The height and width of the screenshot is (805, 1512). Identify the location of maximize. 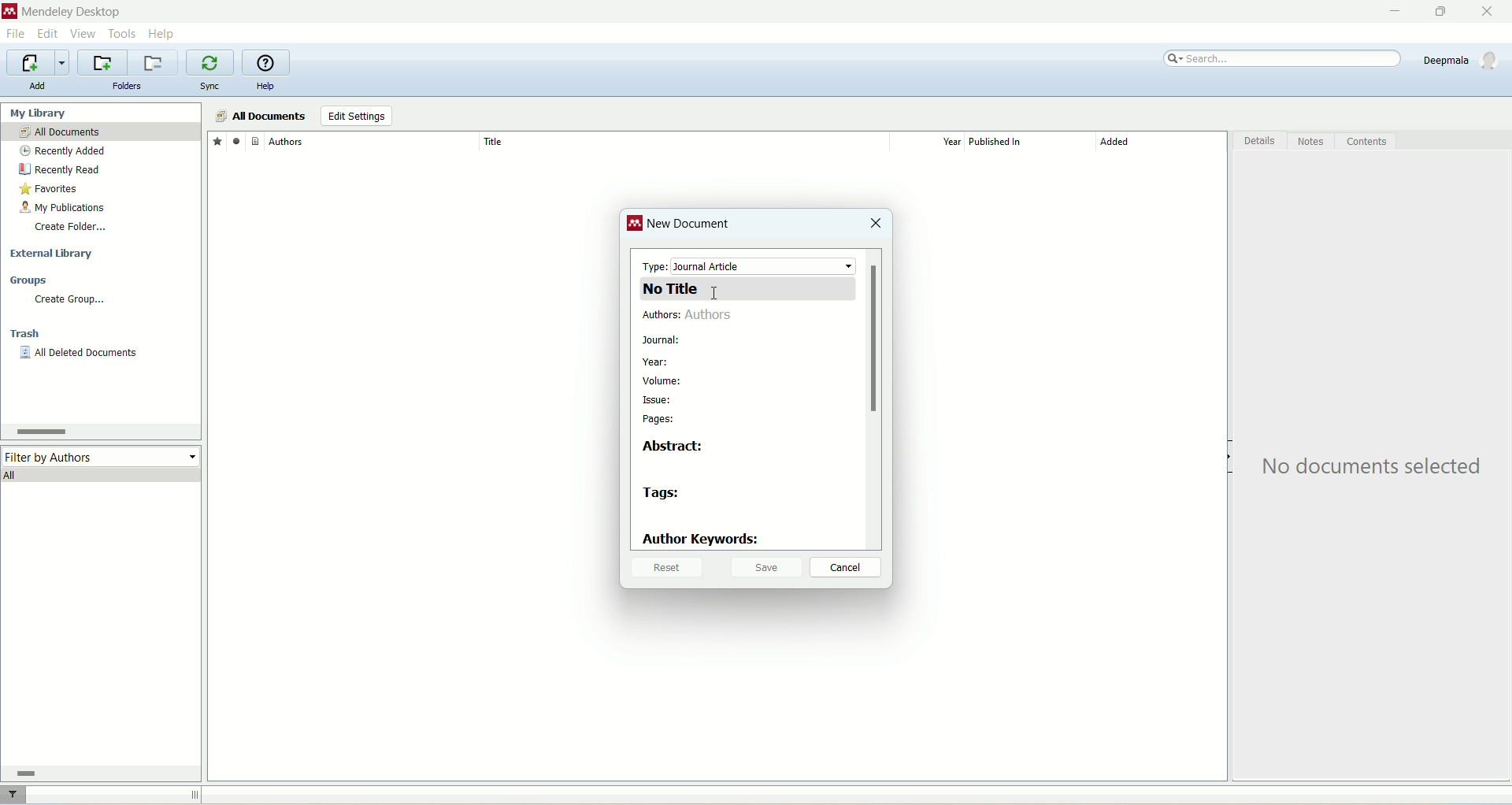
(1437, 12).